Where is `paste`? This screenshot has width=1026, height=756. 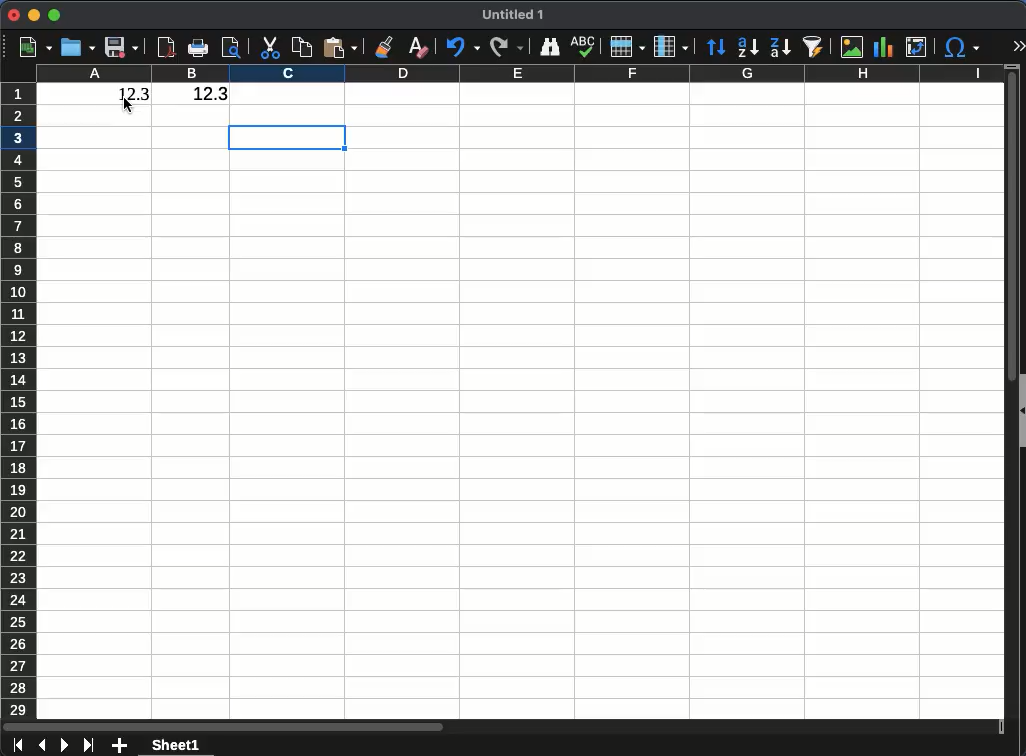
paste is located at coordinates (338, 48).